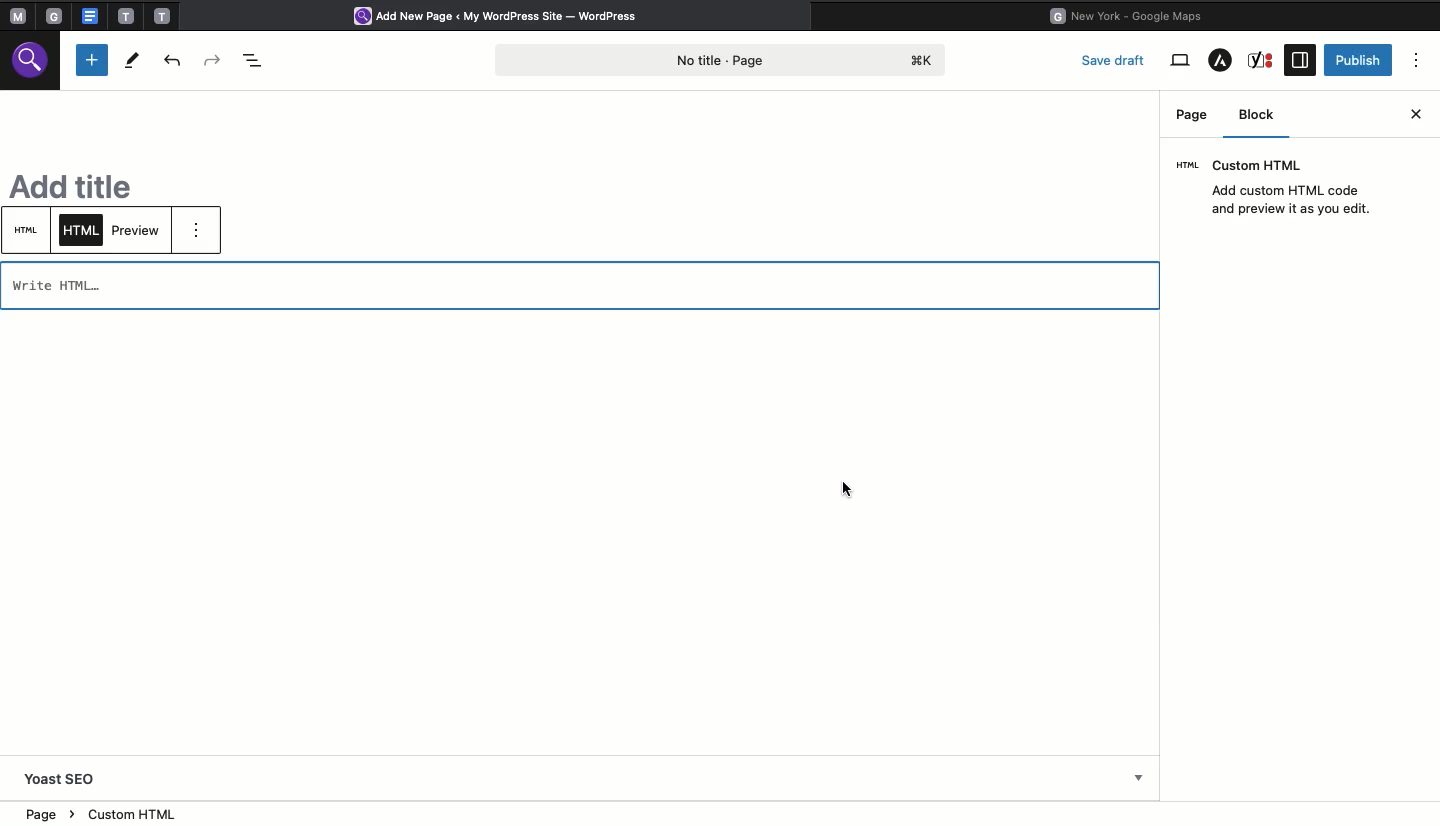  What do you see at coordinates (1263, 118) in the screenshot?
I see `Block` at bounding box center [1263, 118].